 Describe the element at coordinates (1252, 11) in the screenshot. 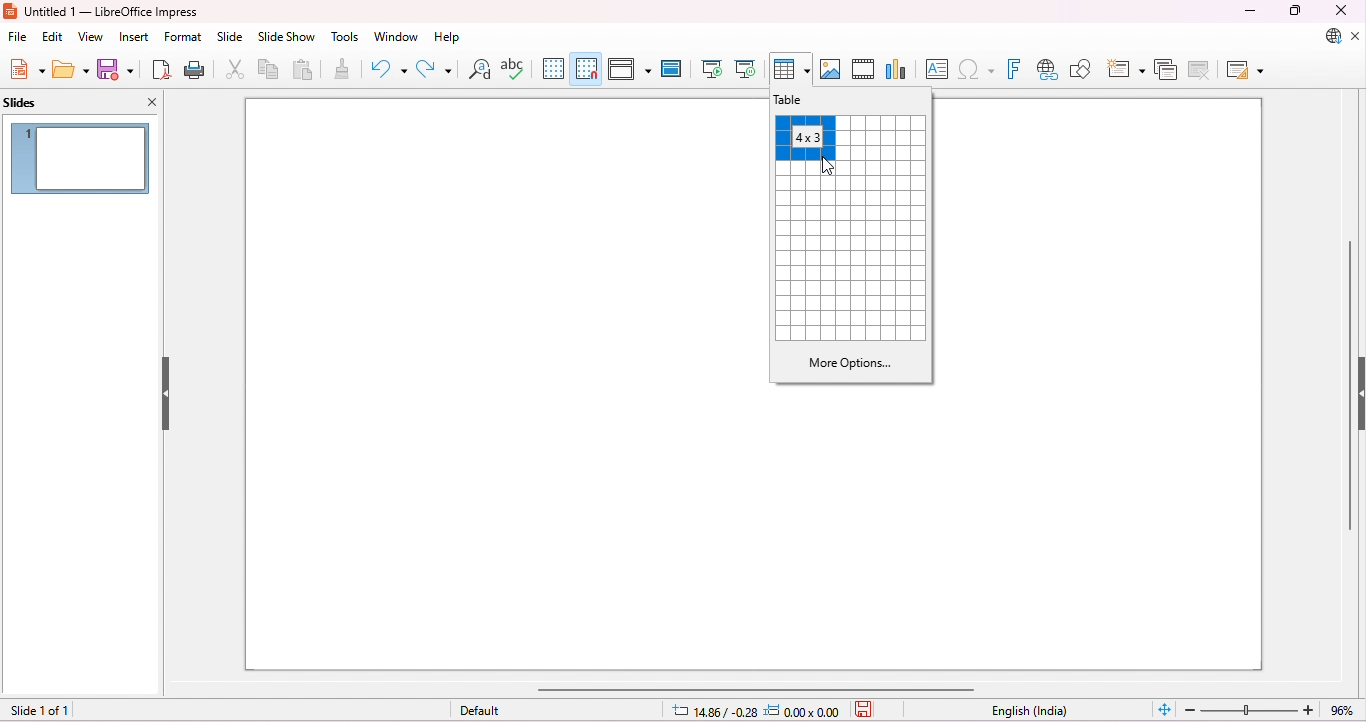

I see `minimize` at that location.